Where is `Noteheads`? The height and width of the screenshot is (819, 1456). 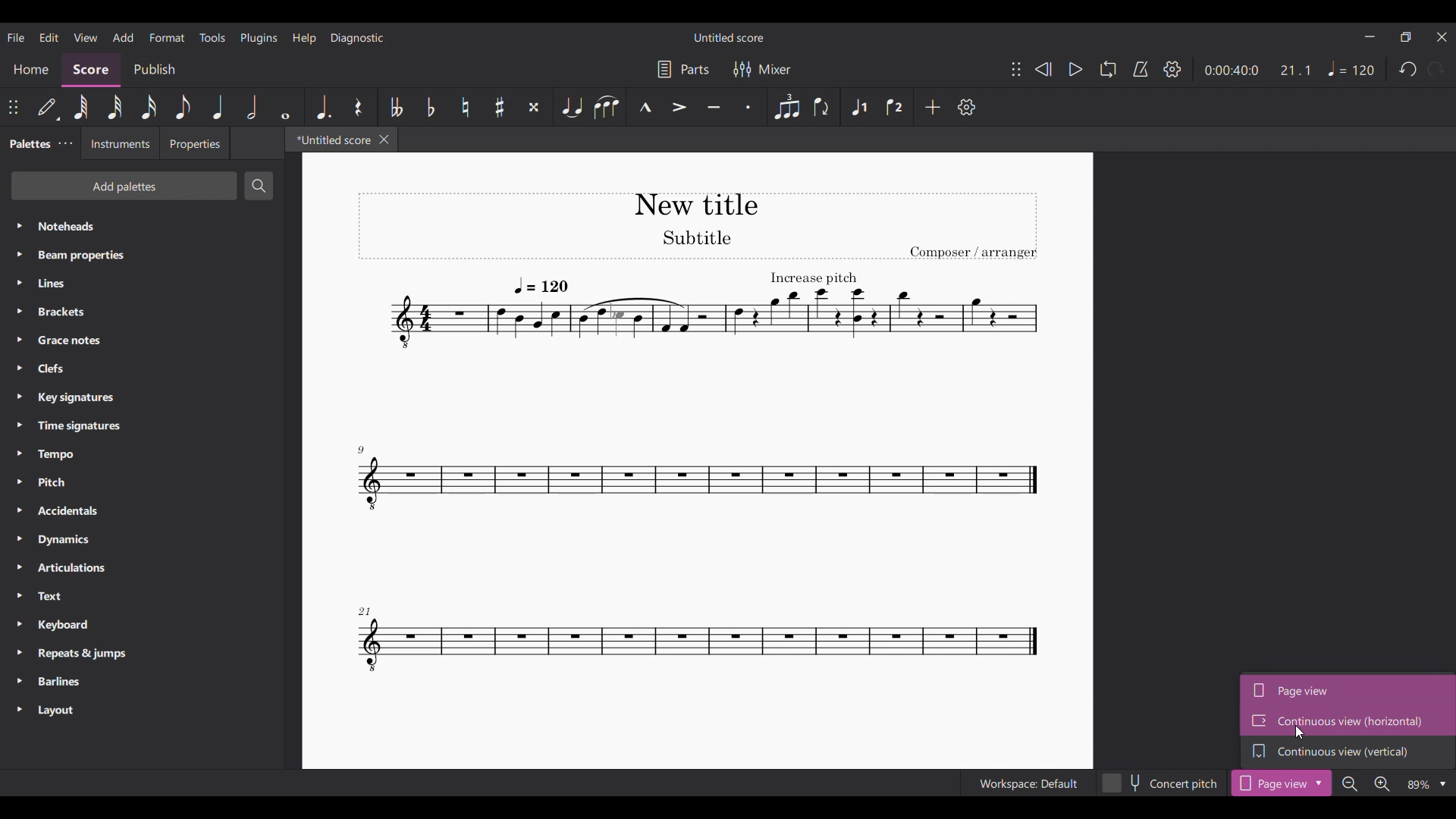
Noteheads is located at coordinates (144, 225).